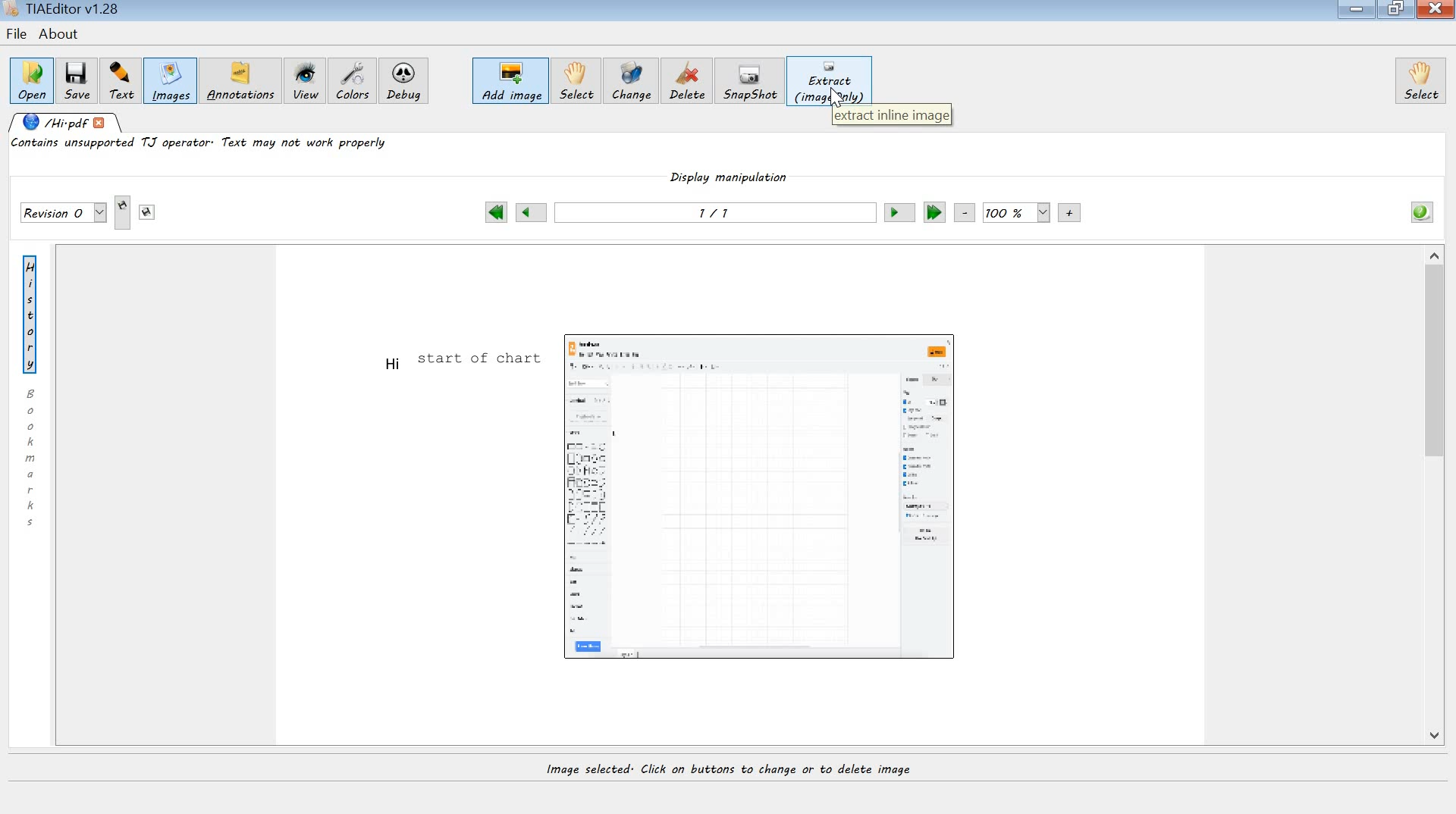 This screenshot has width=1456, height=814. Describe the element at coordinates (34, 312) in the screenshot. I see `History` at that location.